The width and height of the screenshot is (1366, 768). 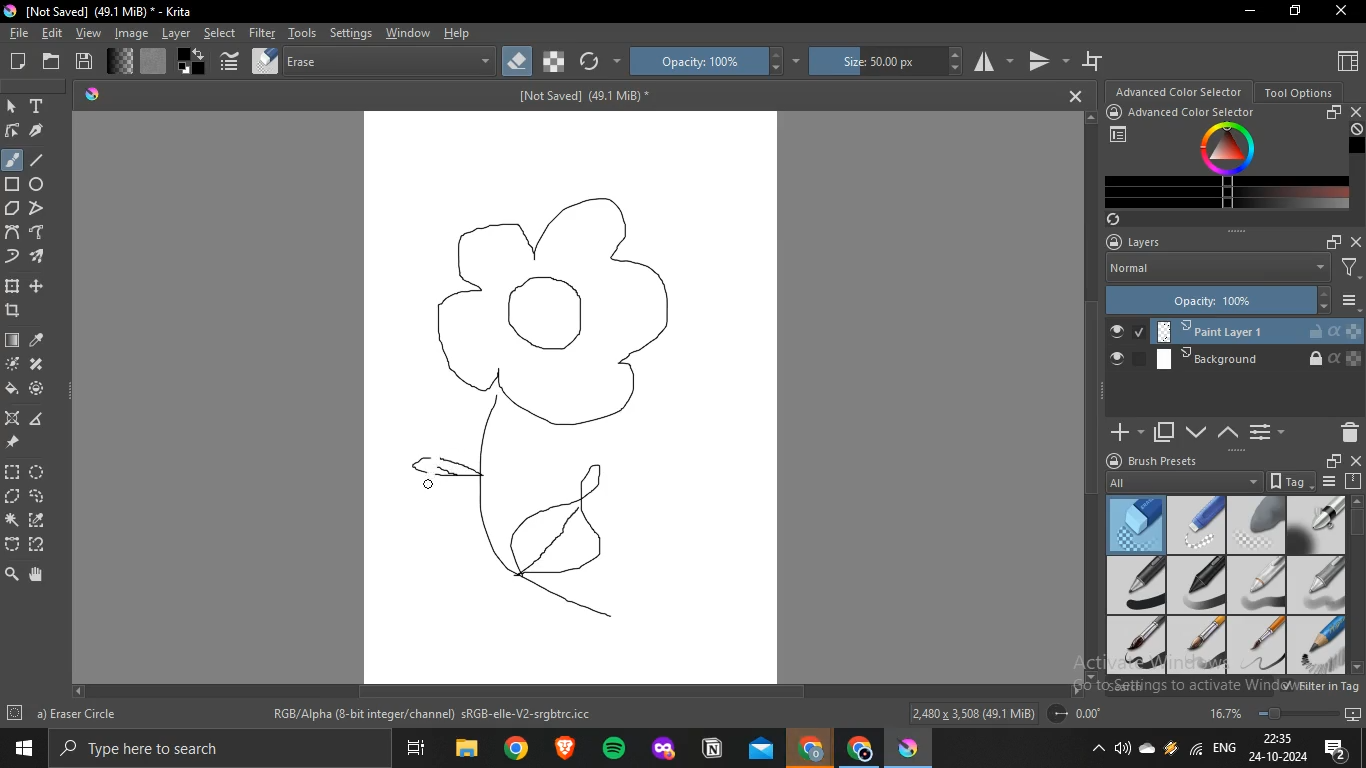 I want to click on edit brush settings, so click(x=231, y=60).